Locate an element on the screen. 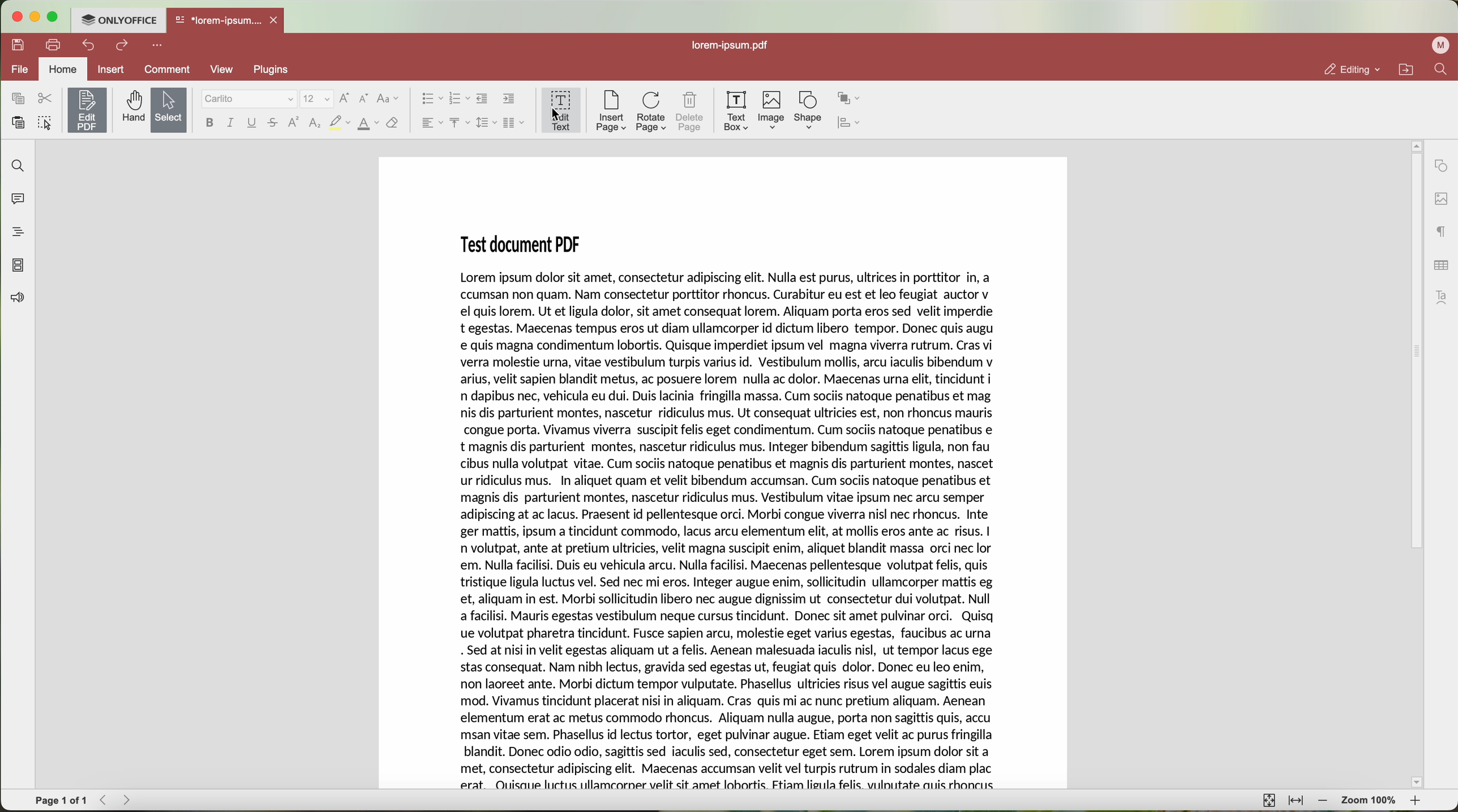 The height and width of the screenshot is (812, 1458). line spacing is located at coordinates (486, 123).